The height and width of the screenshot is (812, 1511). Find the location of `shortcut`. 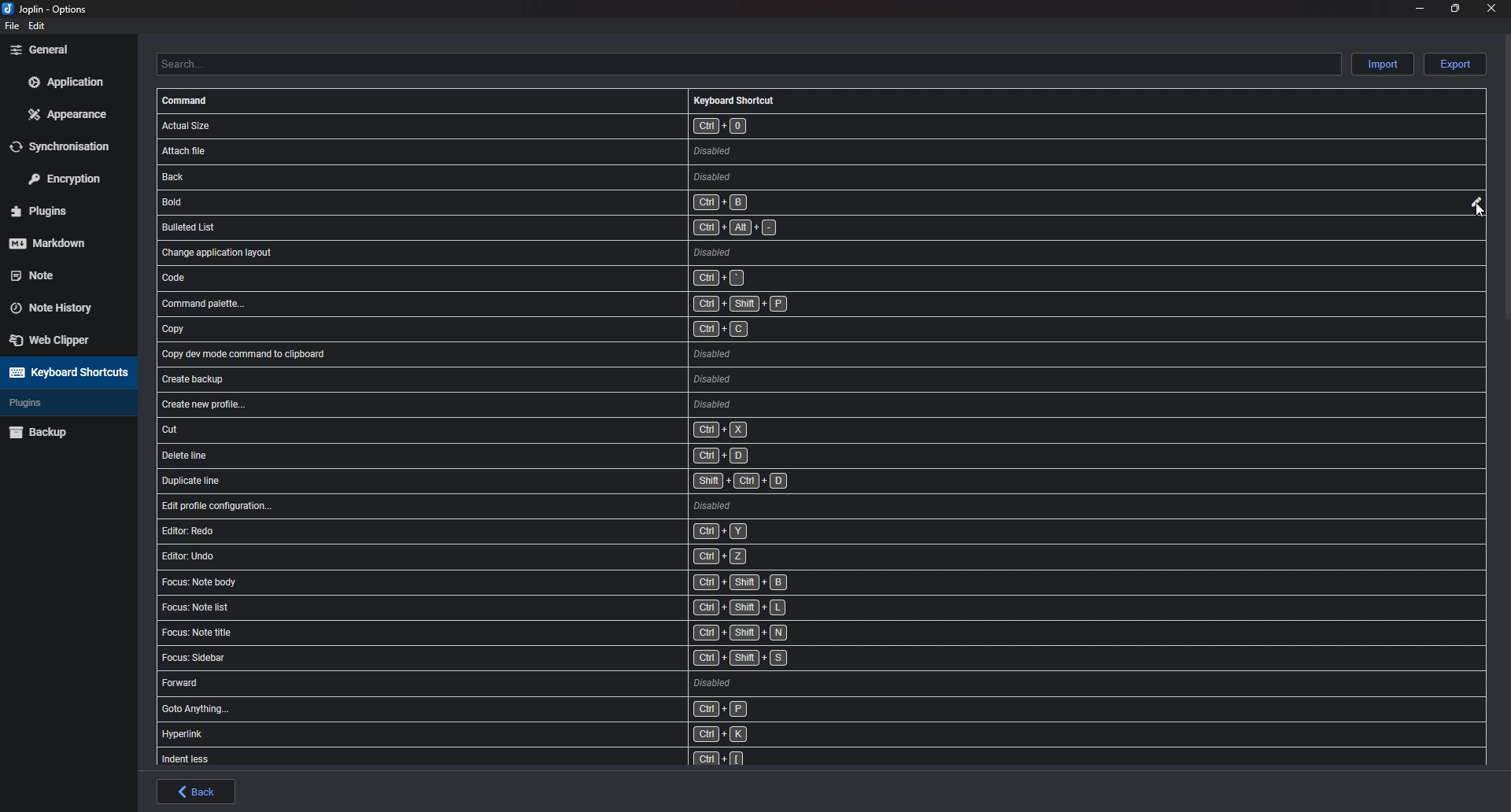

shortcut is located at coordinates (510, 735).